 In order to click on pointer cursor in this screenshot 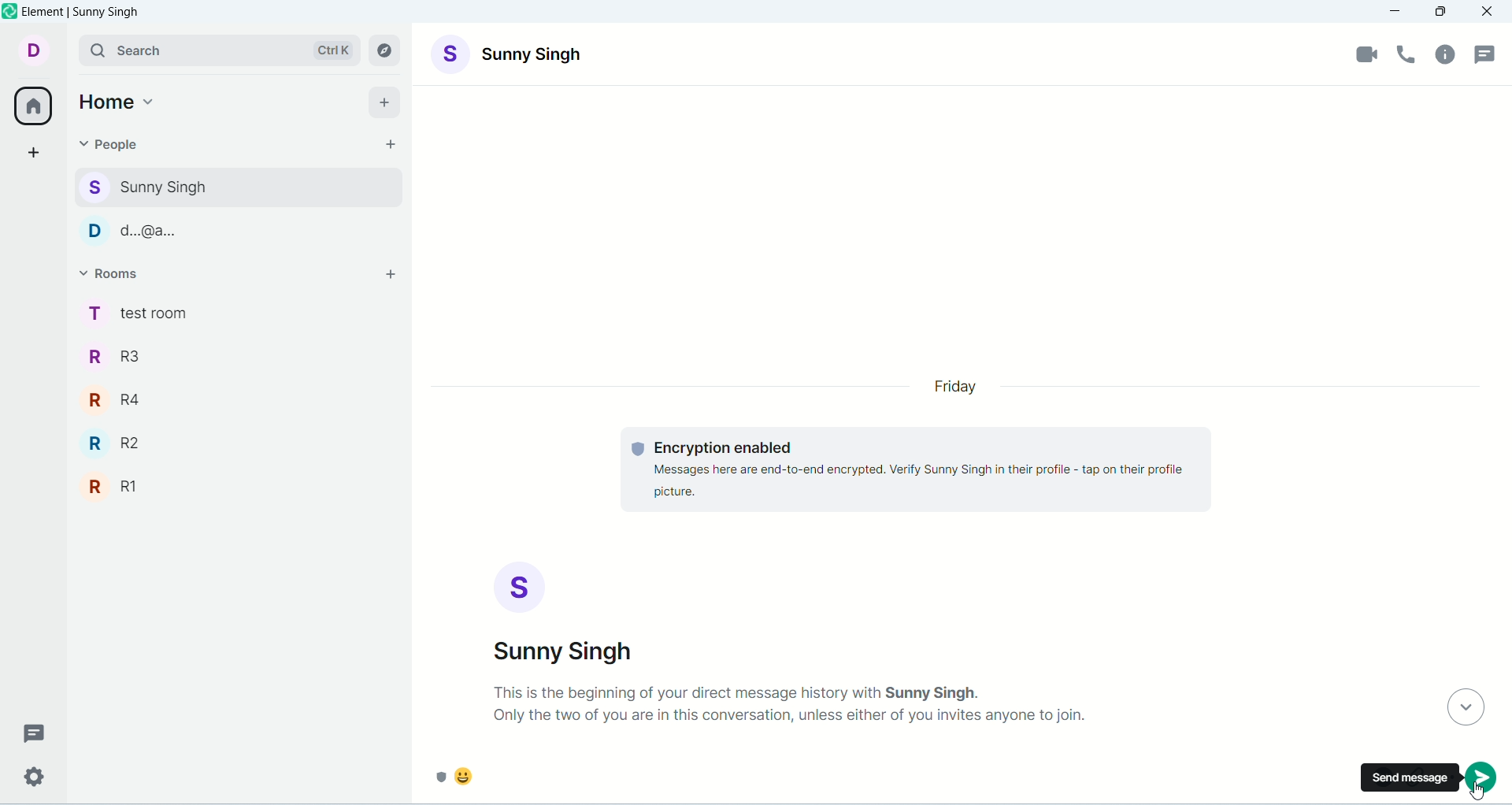, I will do `click(1480, 796)`.